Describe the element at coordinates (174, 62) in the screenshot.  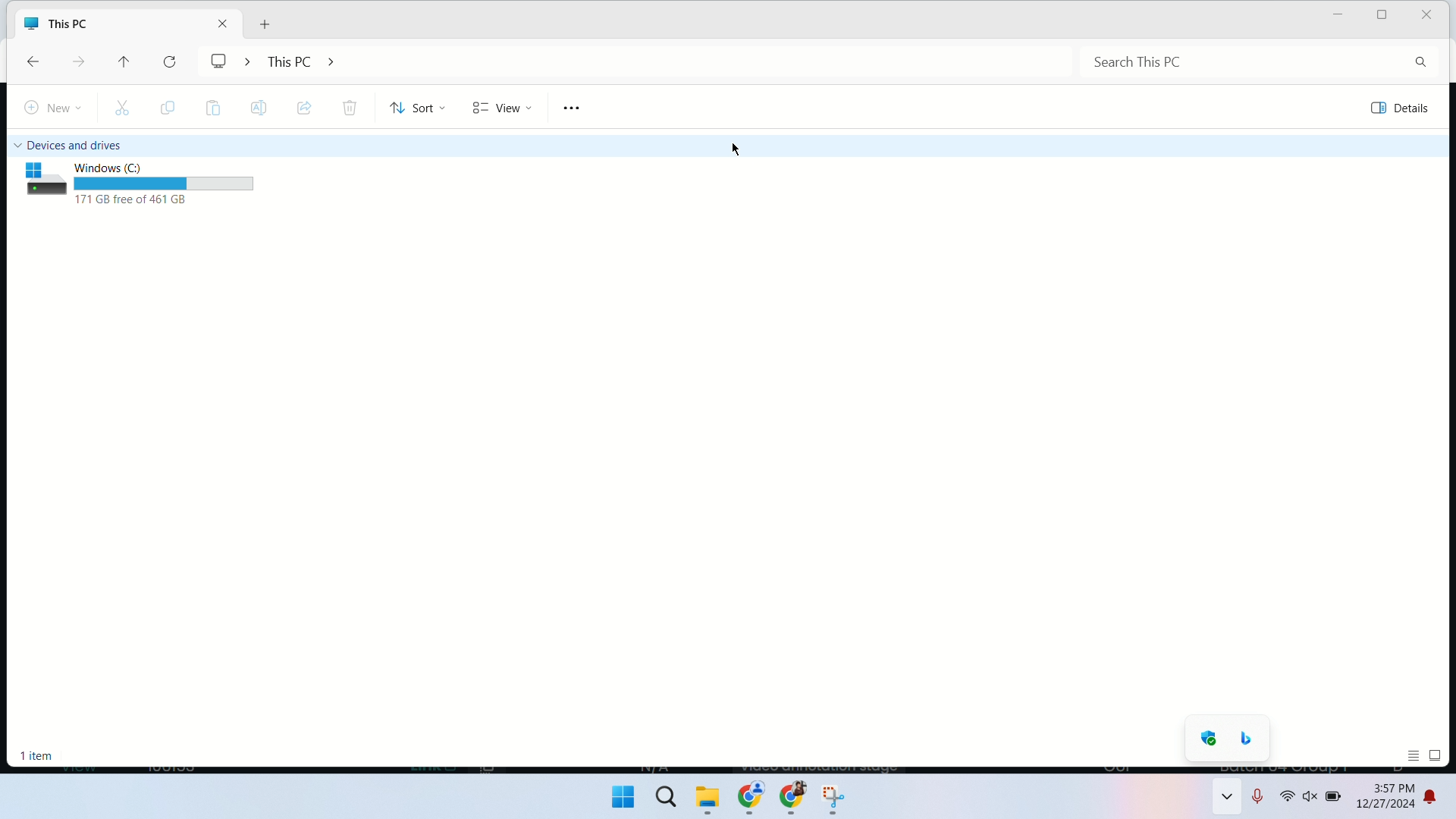
I see `refresh` at that location.